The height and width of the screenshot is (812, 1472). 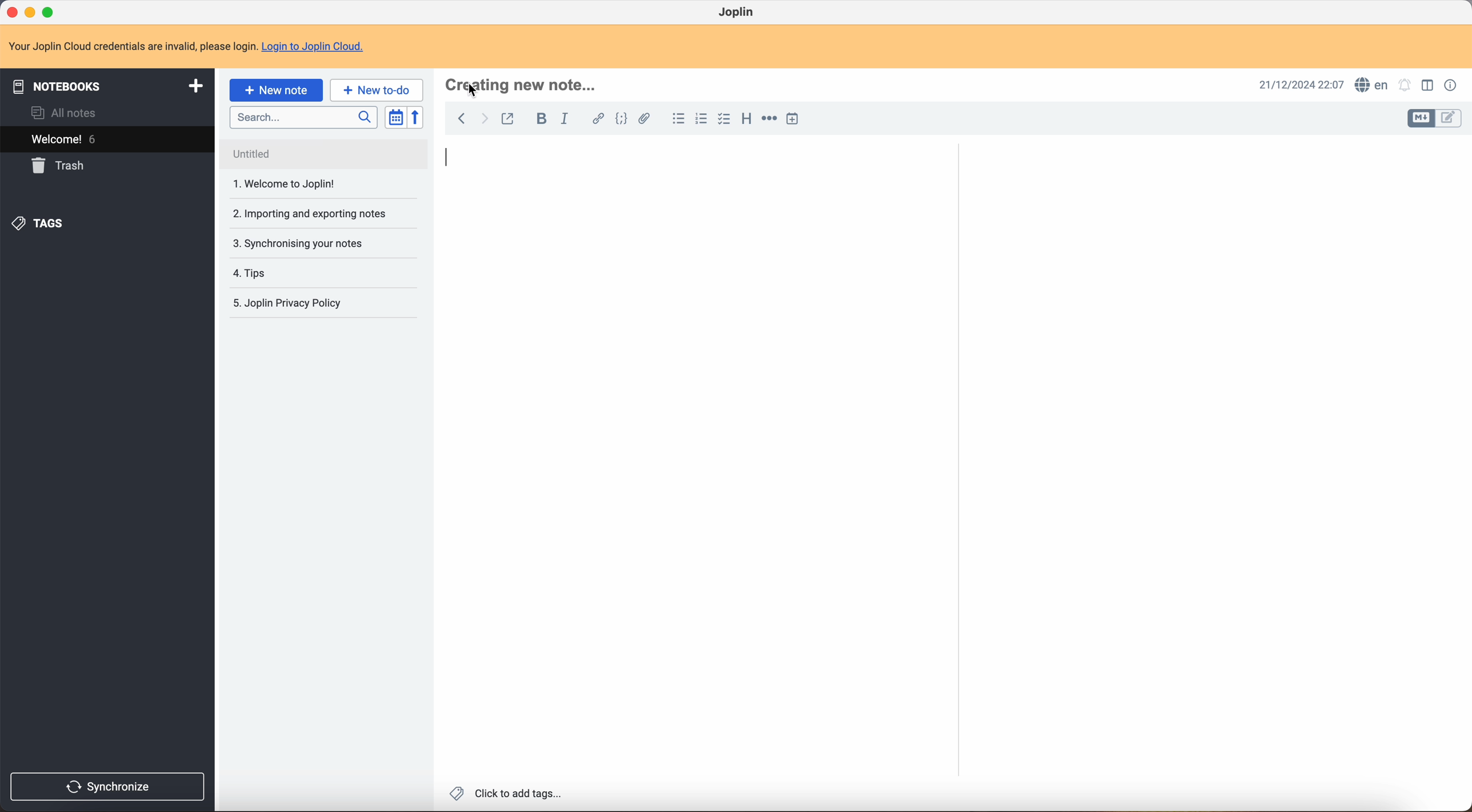 What do you see at coordinates (1451, 86) in the screenshot?
I see `note properties` at bounding box center [1451, 86].